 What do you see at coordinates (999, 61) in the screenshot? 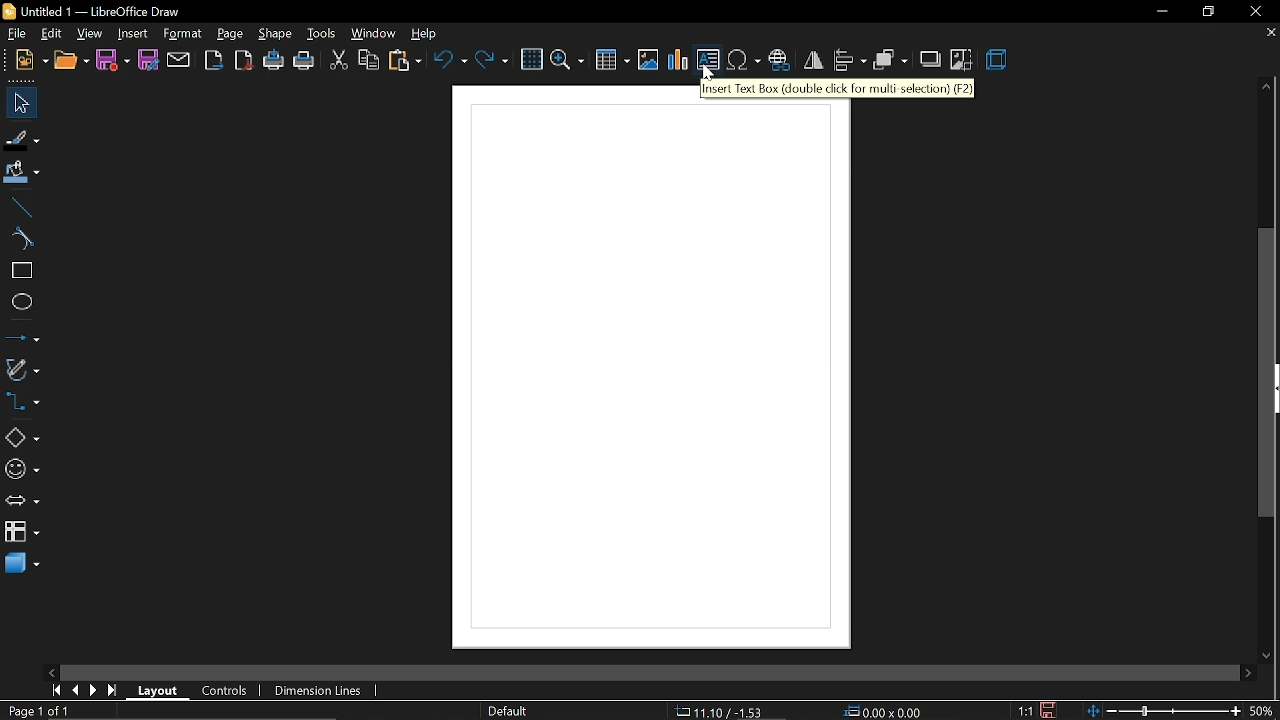
I see `3d effect` at bounding box center [999, 61].